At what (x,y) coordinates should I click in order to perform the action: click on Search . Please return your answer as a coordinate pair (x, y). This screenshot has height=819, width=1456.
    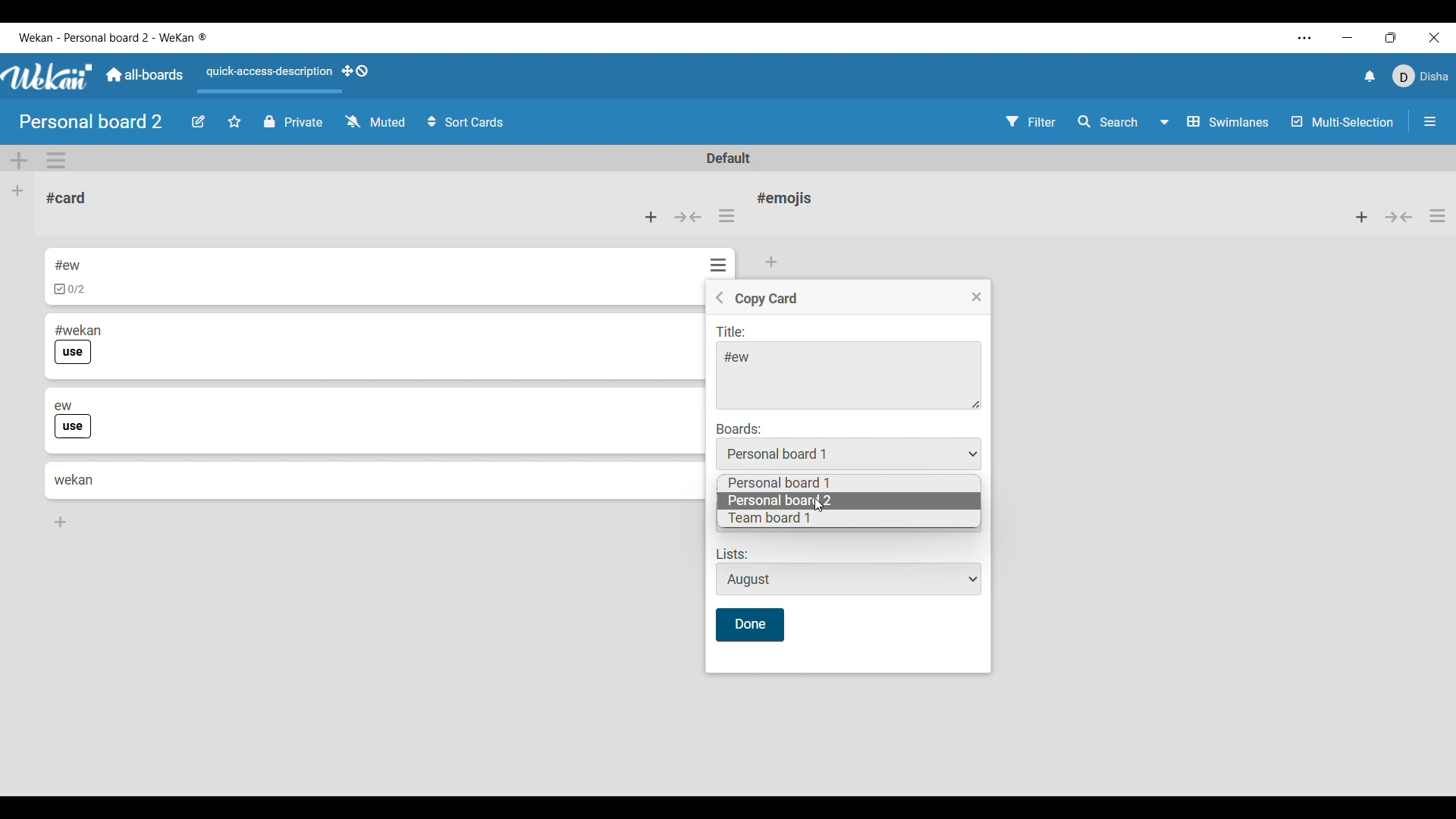
    Looking at the image, I should click on (1108, 122).